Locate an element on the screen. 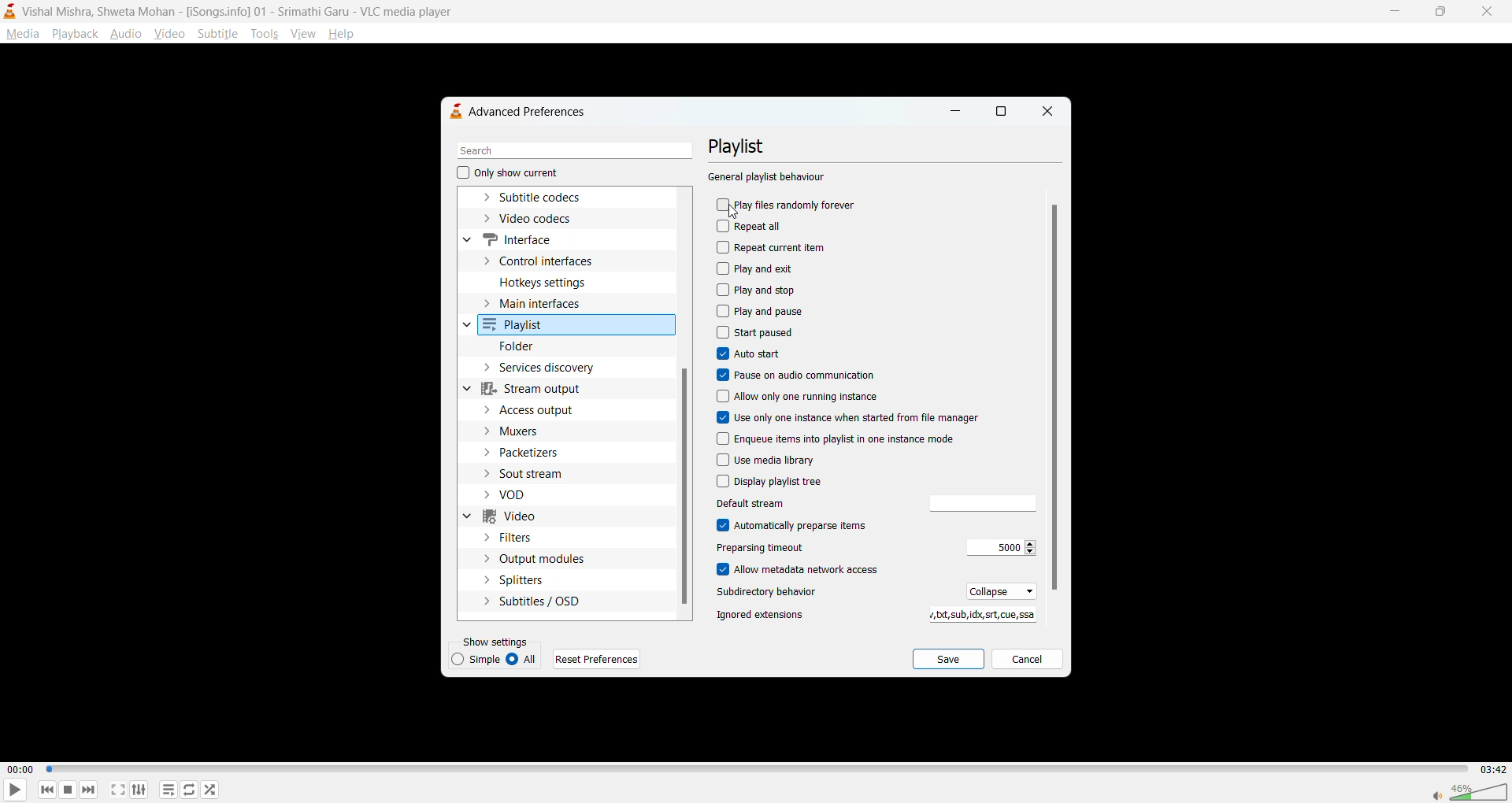 This screenshot has height=803, width=1512. use only one instance  is located at coordinates (849, 418).